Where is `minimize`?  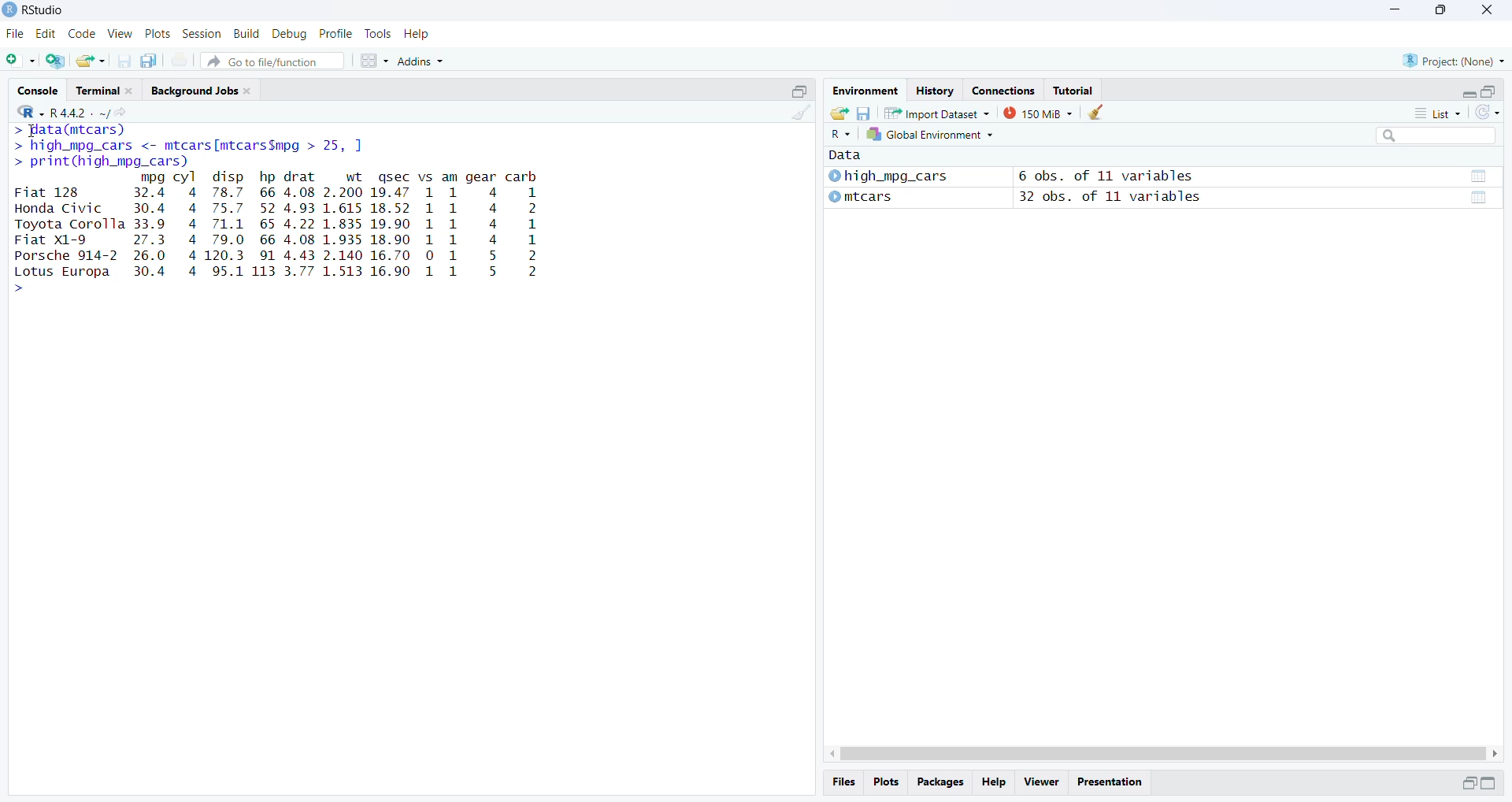 minimize is located at coordinates (799, 90).